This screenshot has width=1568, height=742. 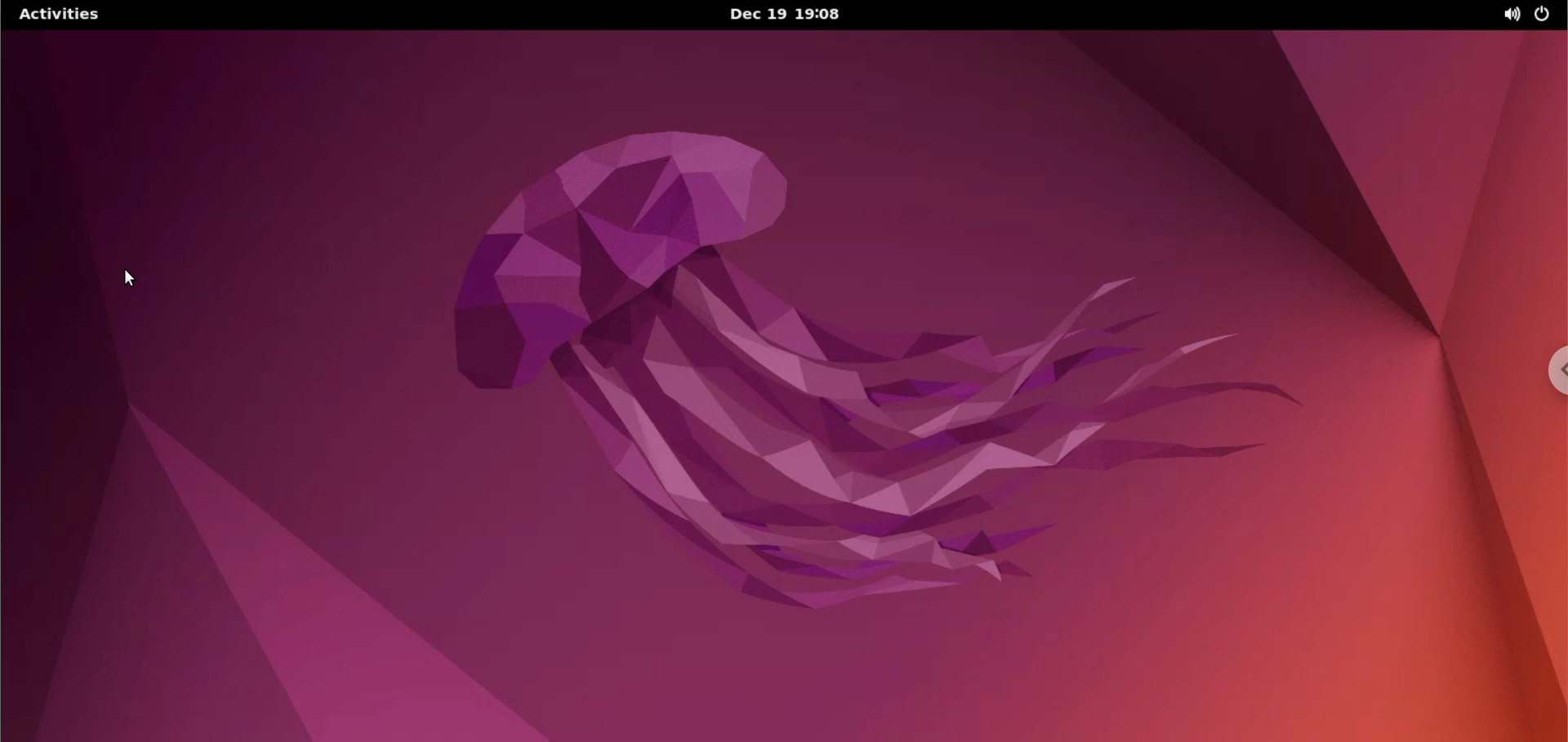 I want to click on chrome options, so click(x=1552, y=373).